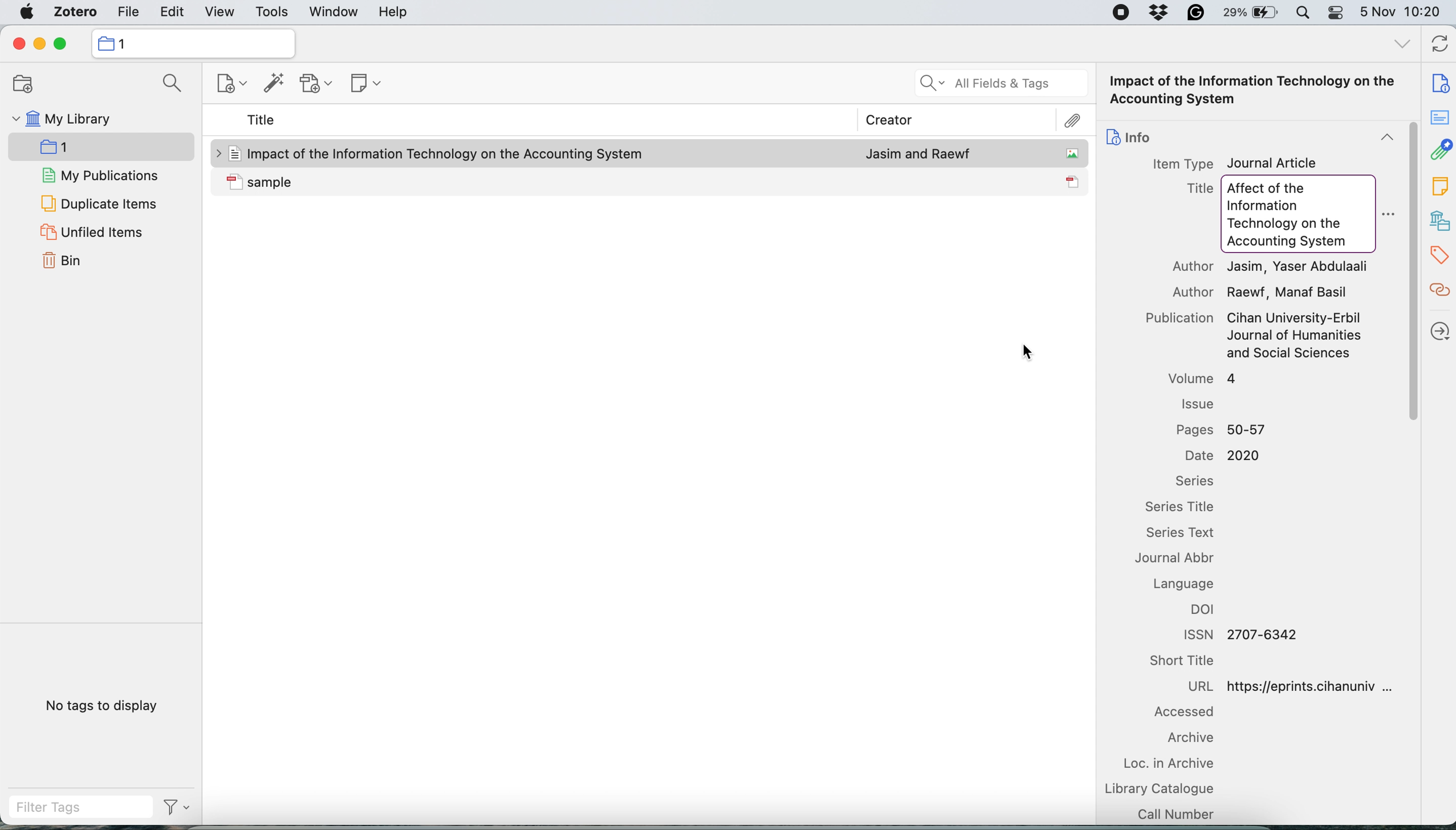  What do you see at coordinates (1254, 91) in the screenshot?
I see `Impact of the Information Technology on the Accounting System` at bounding box center [1254, 91].